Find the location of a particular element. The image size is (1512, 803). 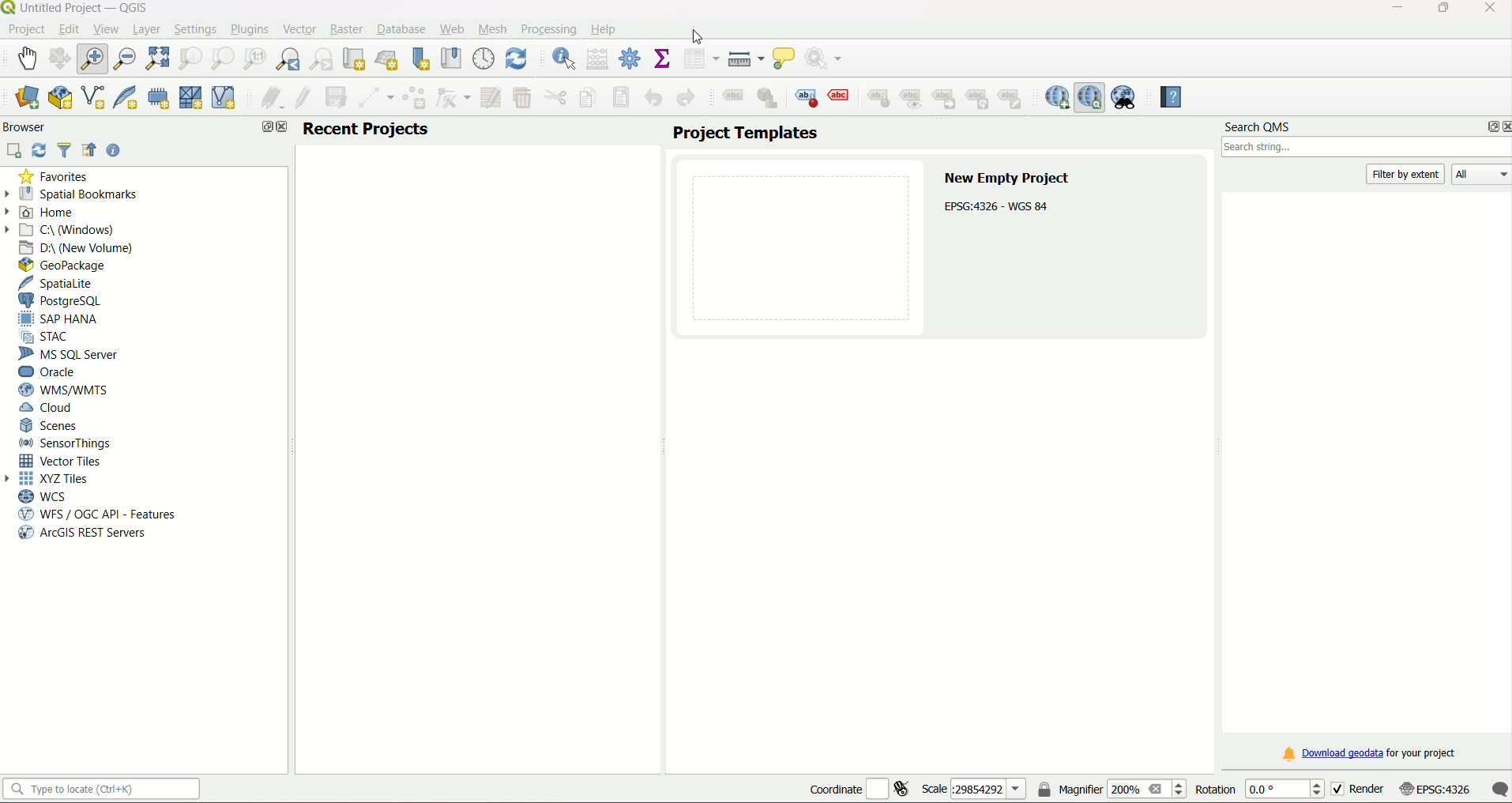

new spatial bookmark is located at coordinates (421, 58).